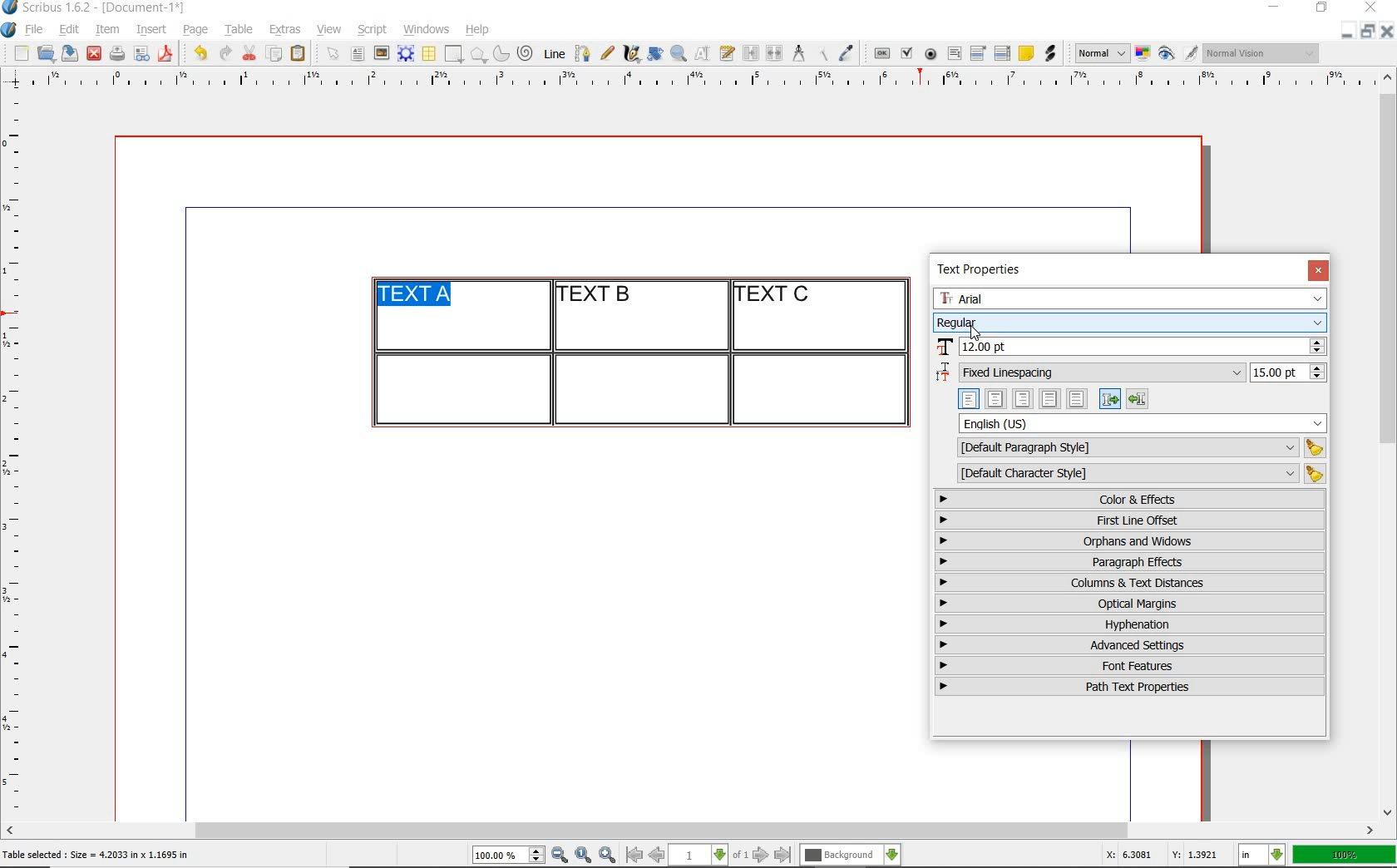 This screenshot has width=1397, height=868. Describe the element at coordinates (727, 52) in the screenshot. I see `edit text with story editor` at that location.